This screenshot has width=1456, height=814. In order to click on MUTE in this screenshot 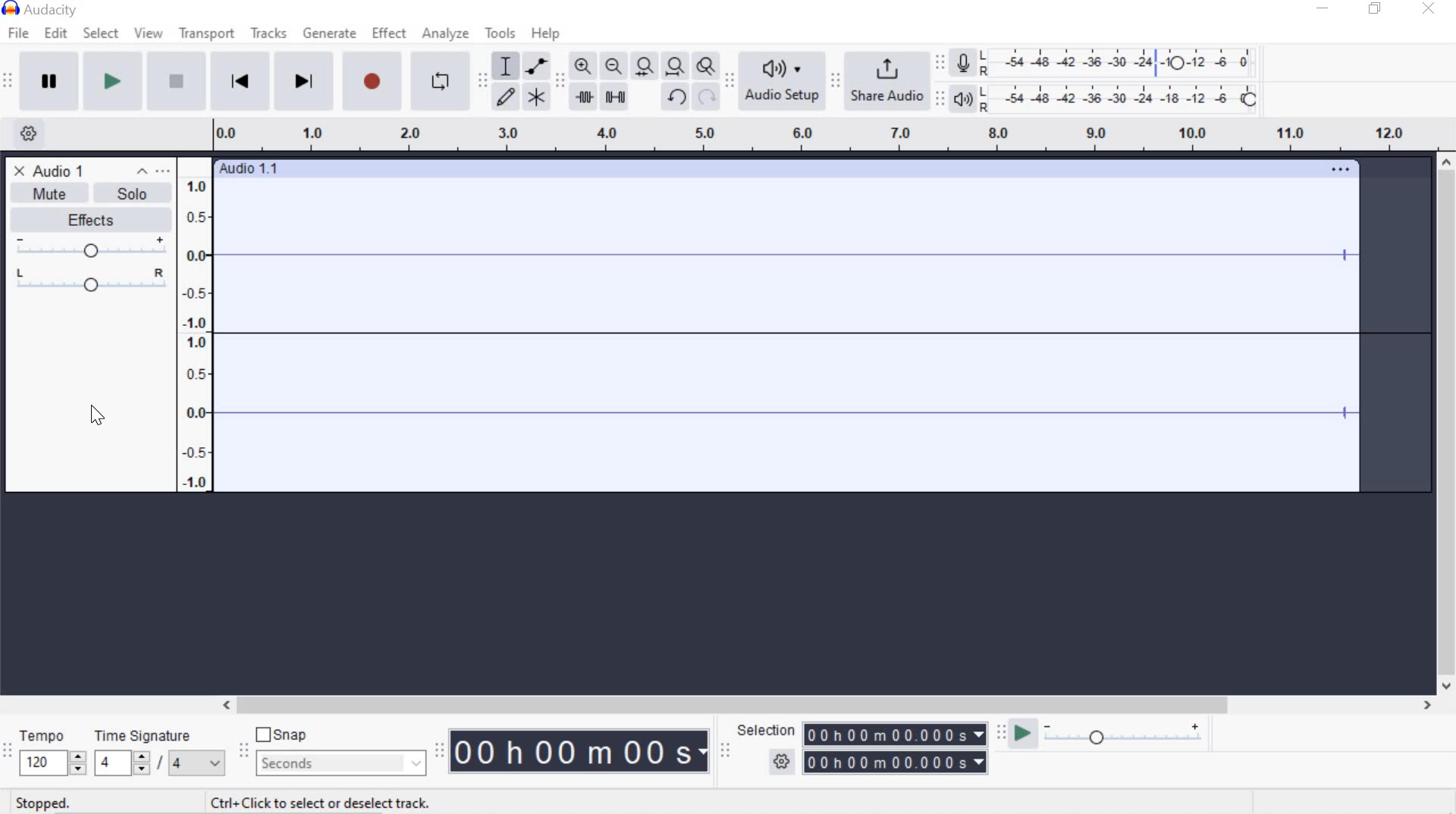, I will do `click(42, 196)`.